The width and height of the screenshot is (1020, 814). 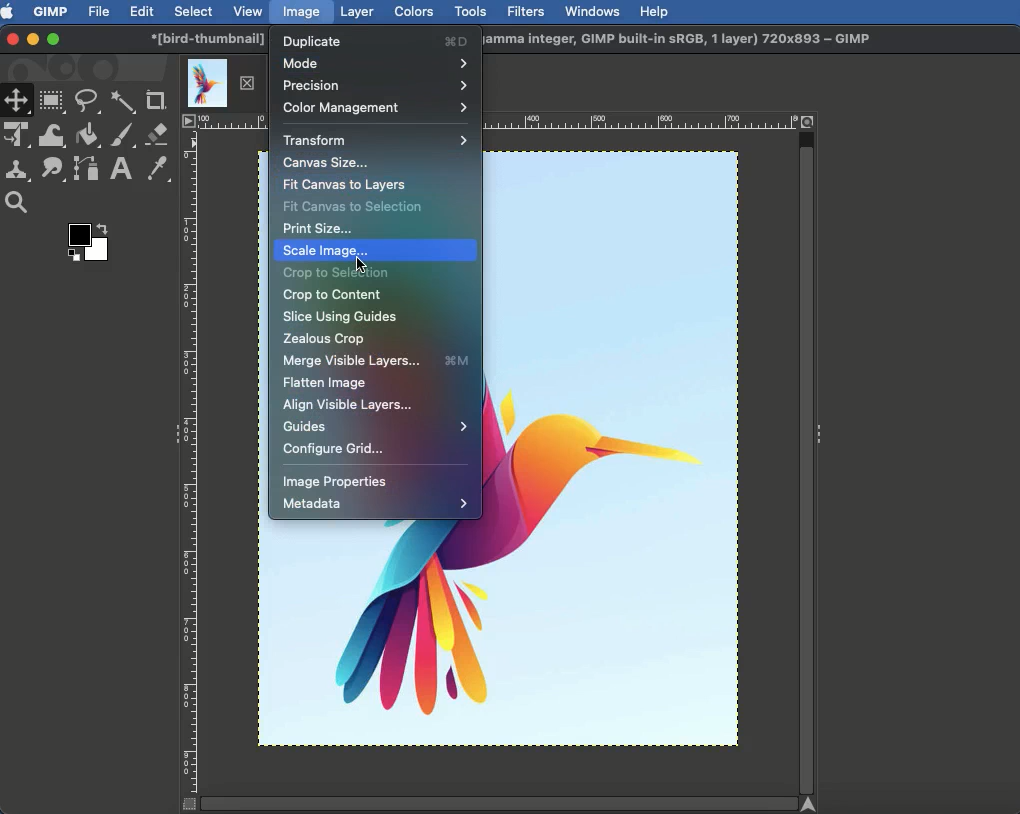 I want to click on Crop to selection, so click(x=334, y=273).